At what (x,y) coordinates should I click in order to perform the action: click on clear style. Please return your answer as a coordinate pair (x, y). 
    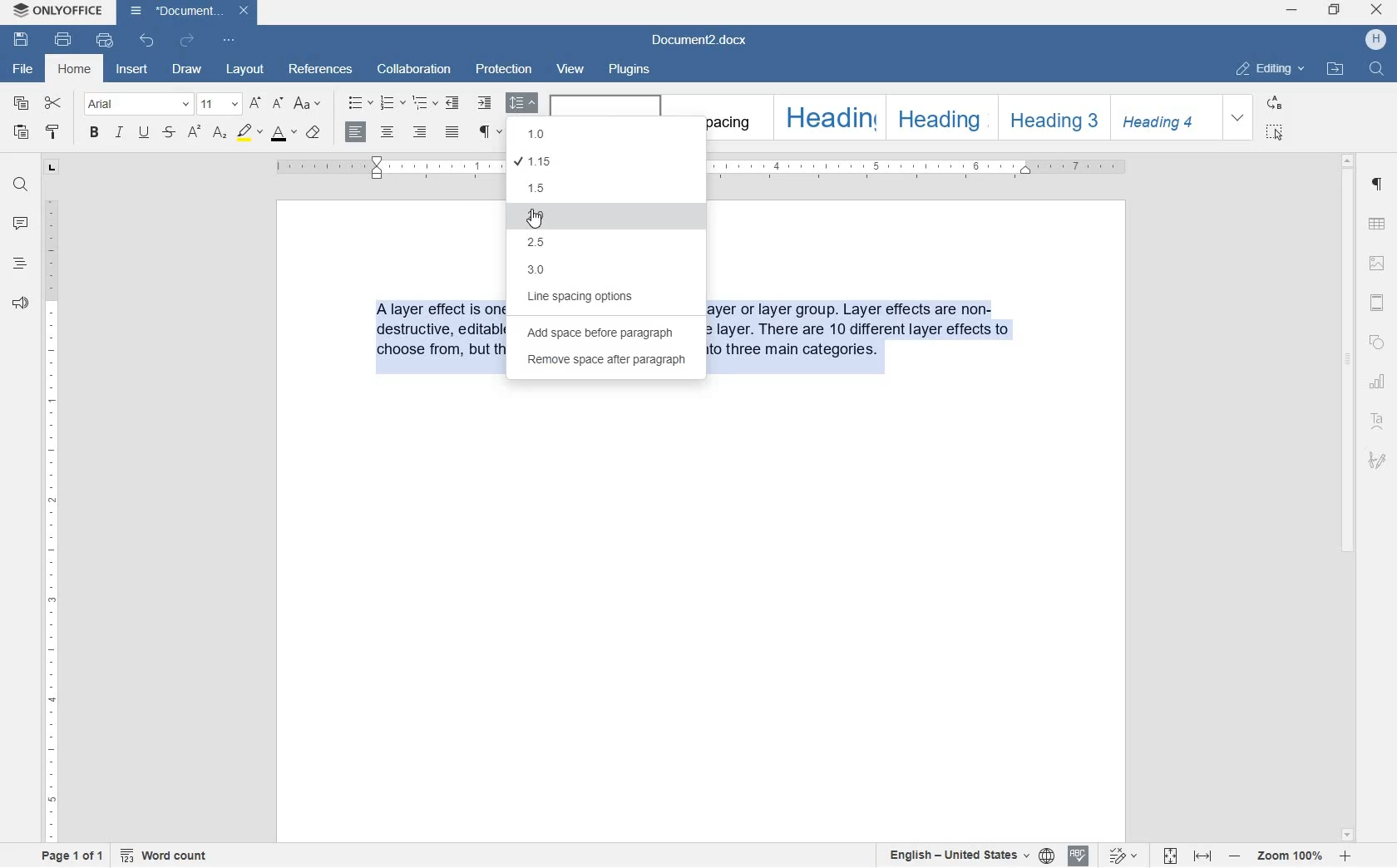
    Looking at the image, I should click on (312, 133).